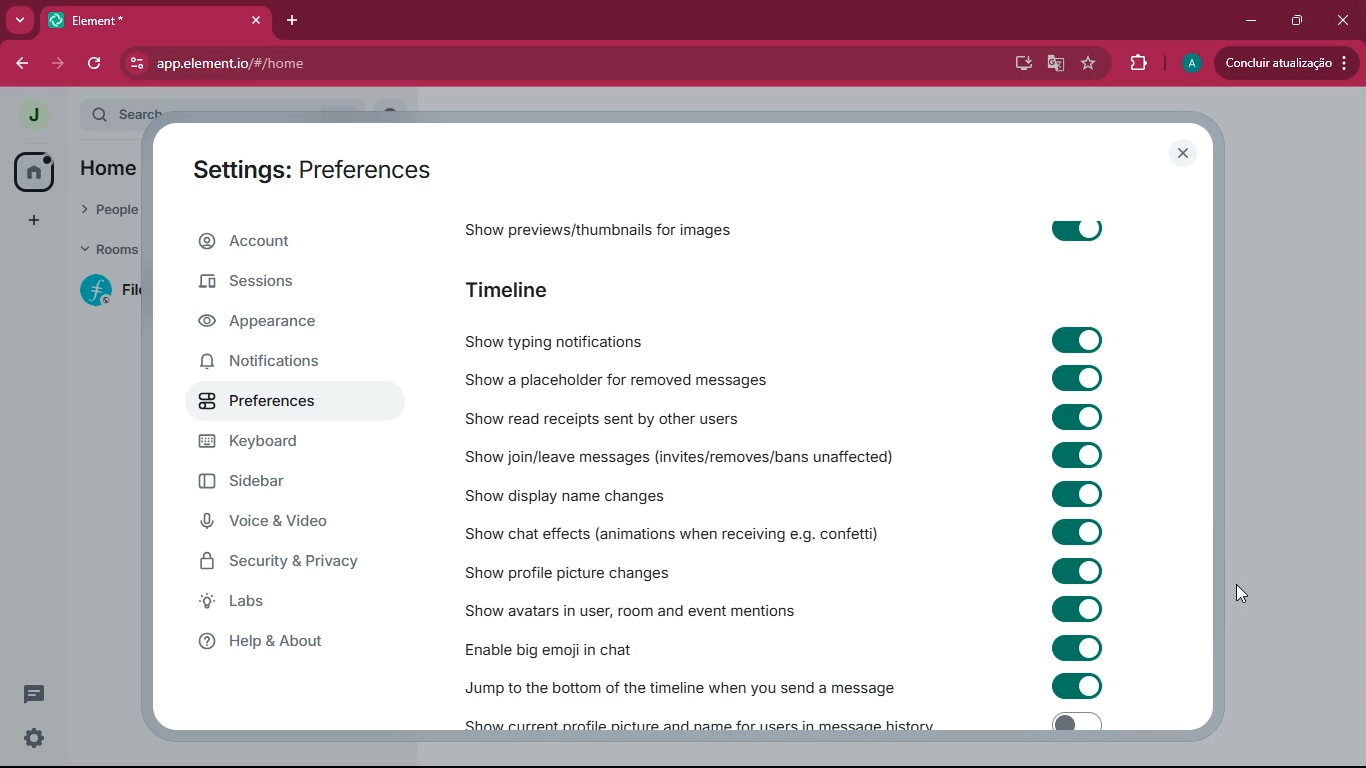 The image size is (1366, 768). I want to click on settings: account, so click(305, 173).